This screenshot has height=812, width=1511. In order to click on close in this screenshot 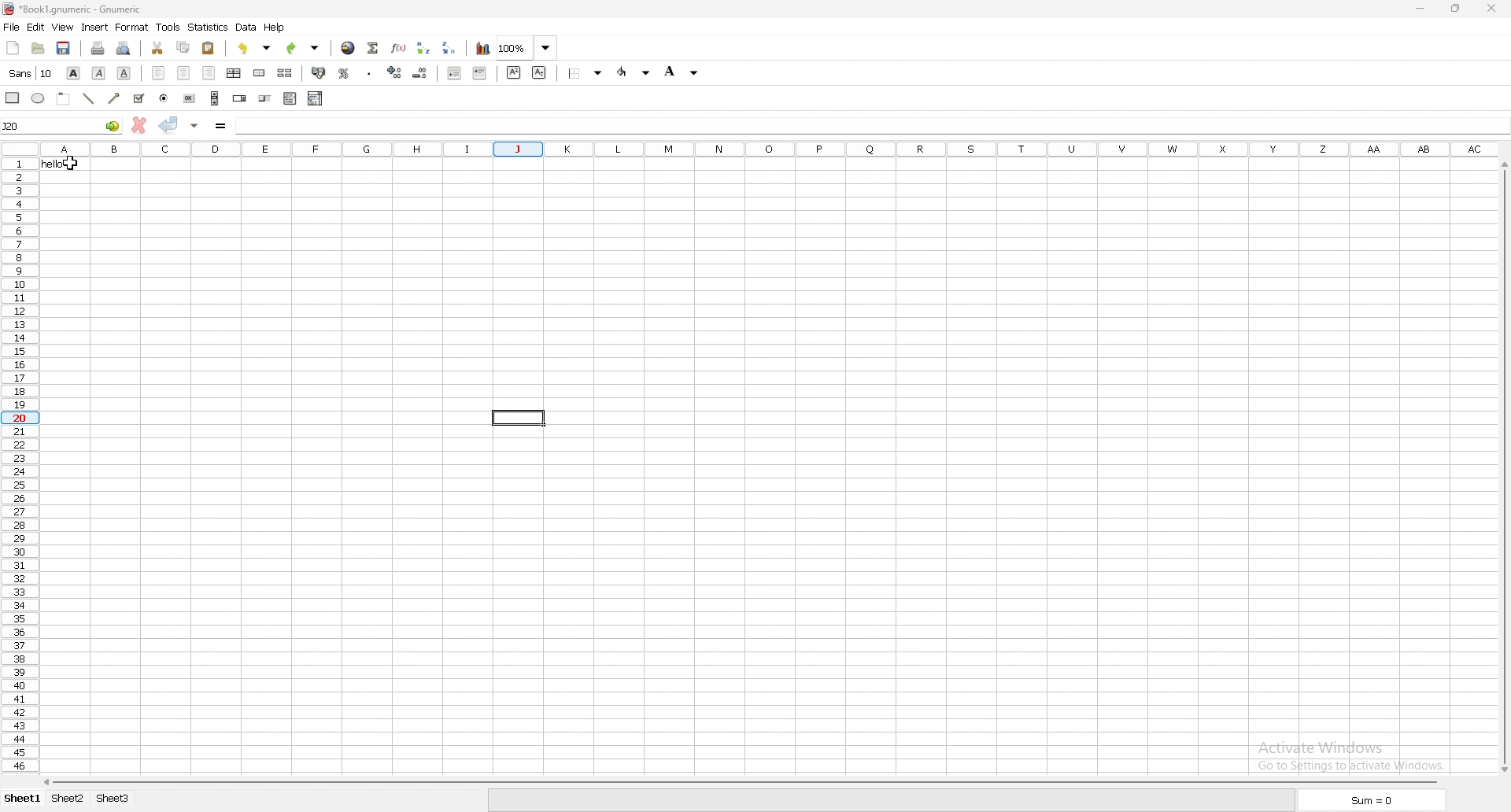, I will do `click(1491, 8)`.